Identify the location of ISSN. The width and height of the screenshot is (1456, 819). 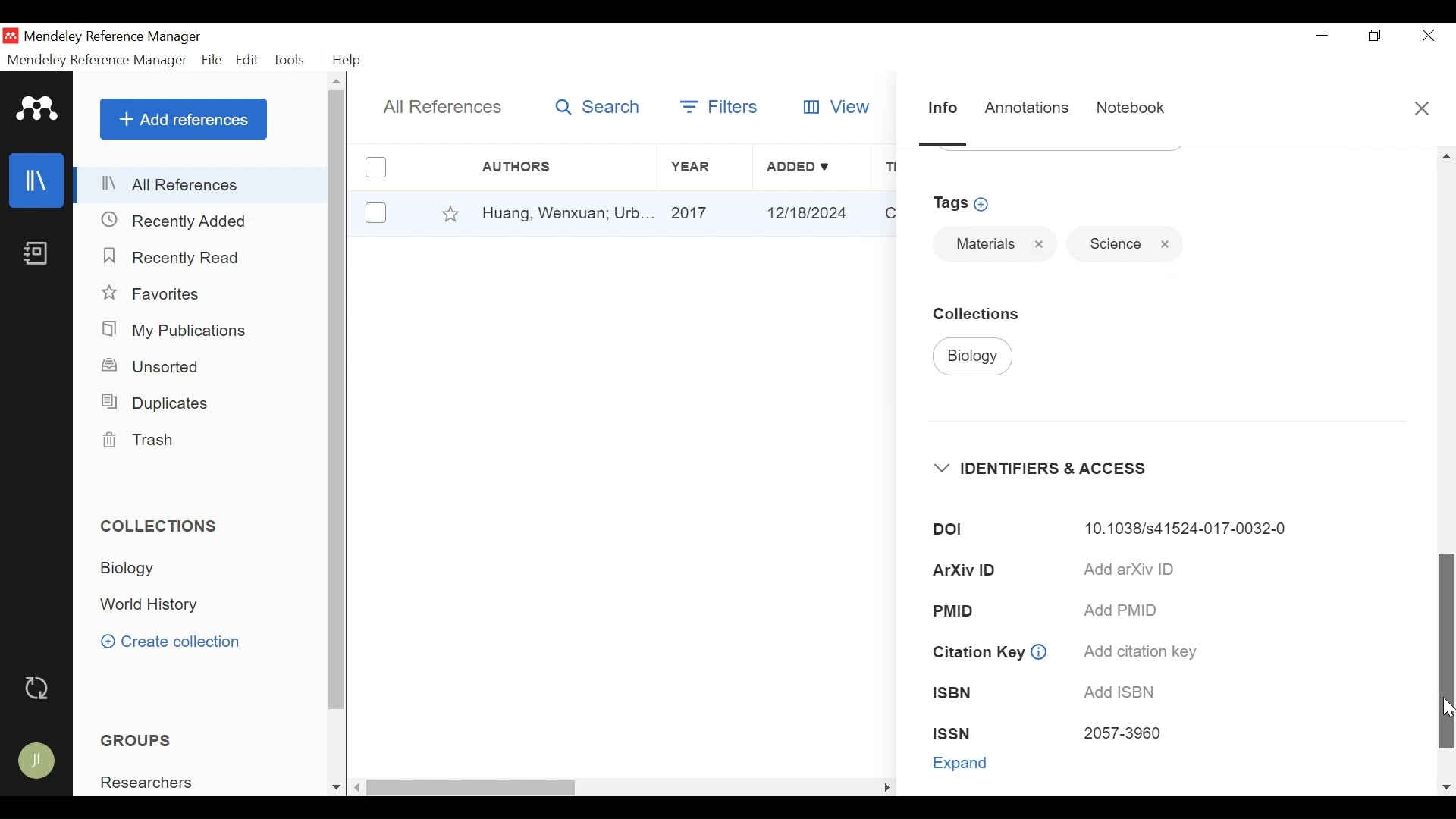
(952, 732).